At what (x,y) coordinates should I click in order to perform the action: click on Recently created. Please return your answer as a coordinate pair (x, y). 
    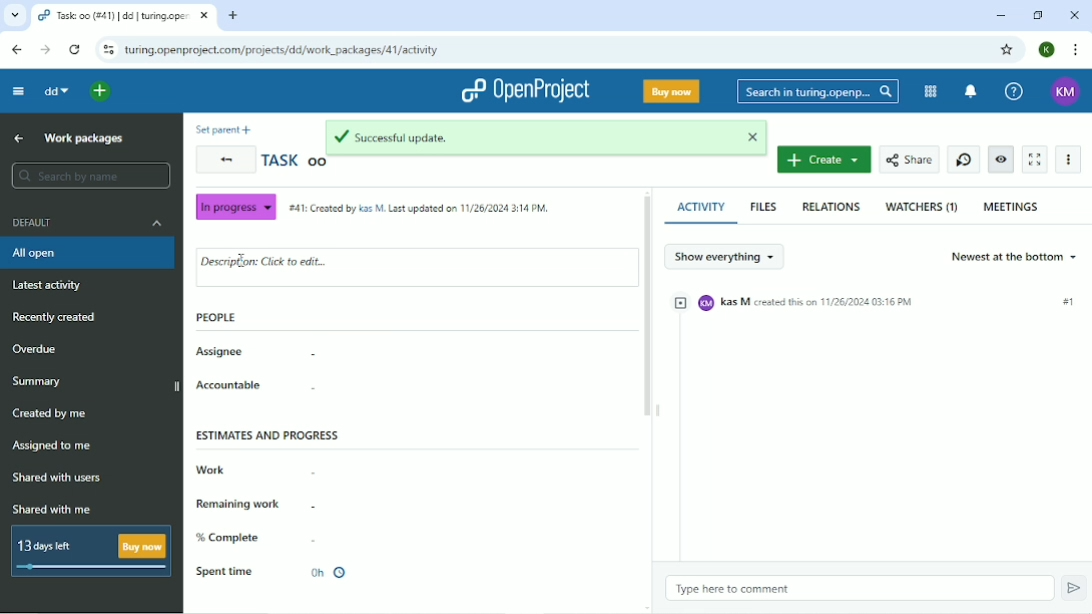
    Looking at the image, I should click on (60, 318).